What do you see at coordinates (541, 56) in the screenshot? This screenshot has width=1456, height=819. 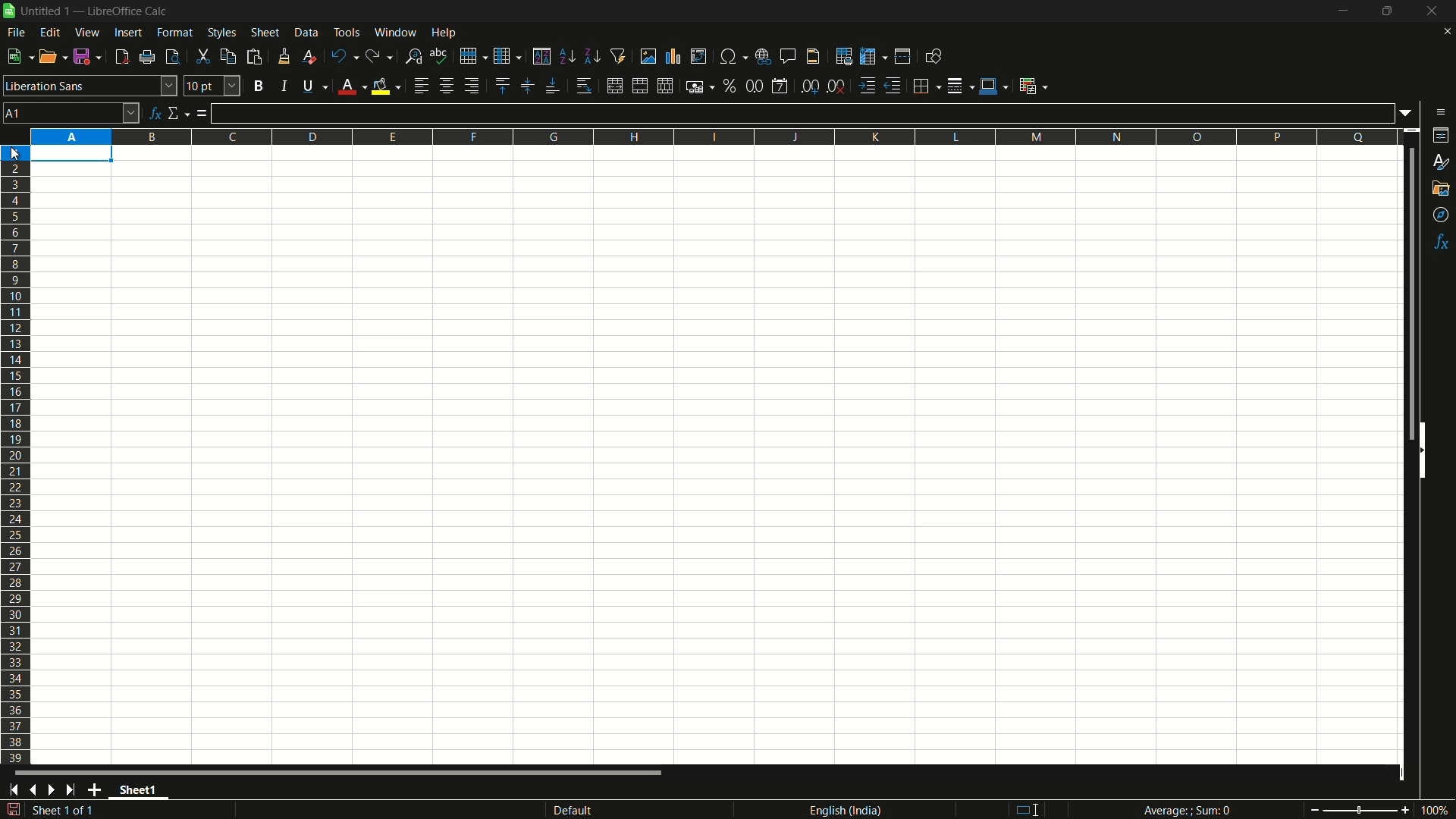 I see `sort` at bounding box center [541, 56].